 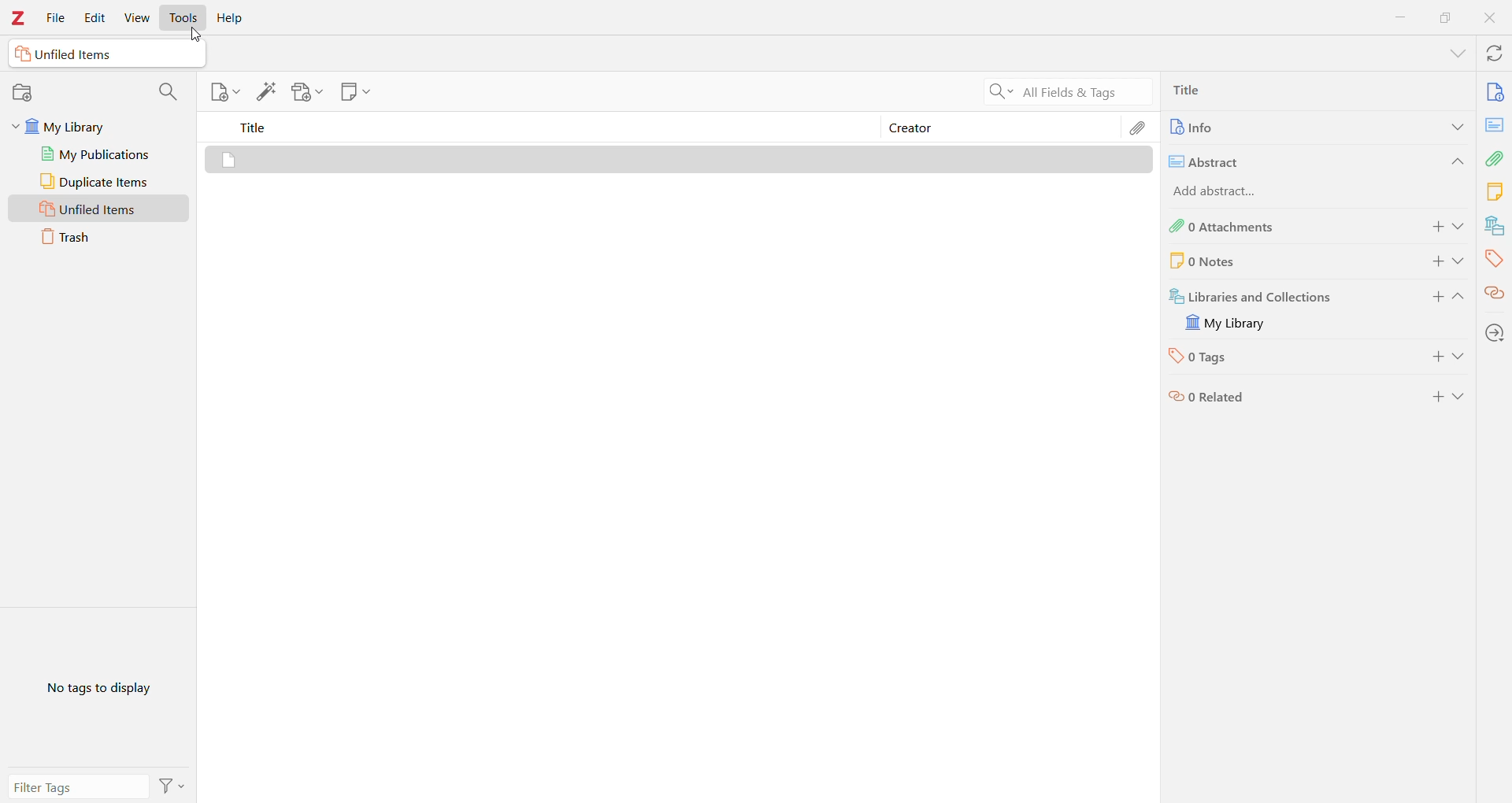 What do you see at coordinates (98, 208) in the screenshot?
I see `Unfiled Items` at bounding box center [98, 208].